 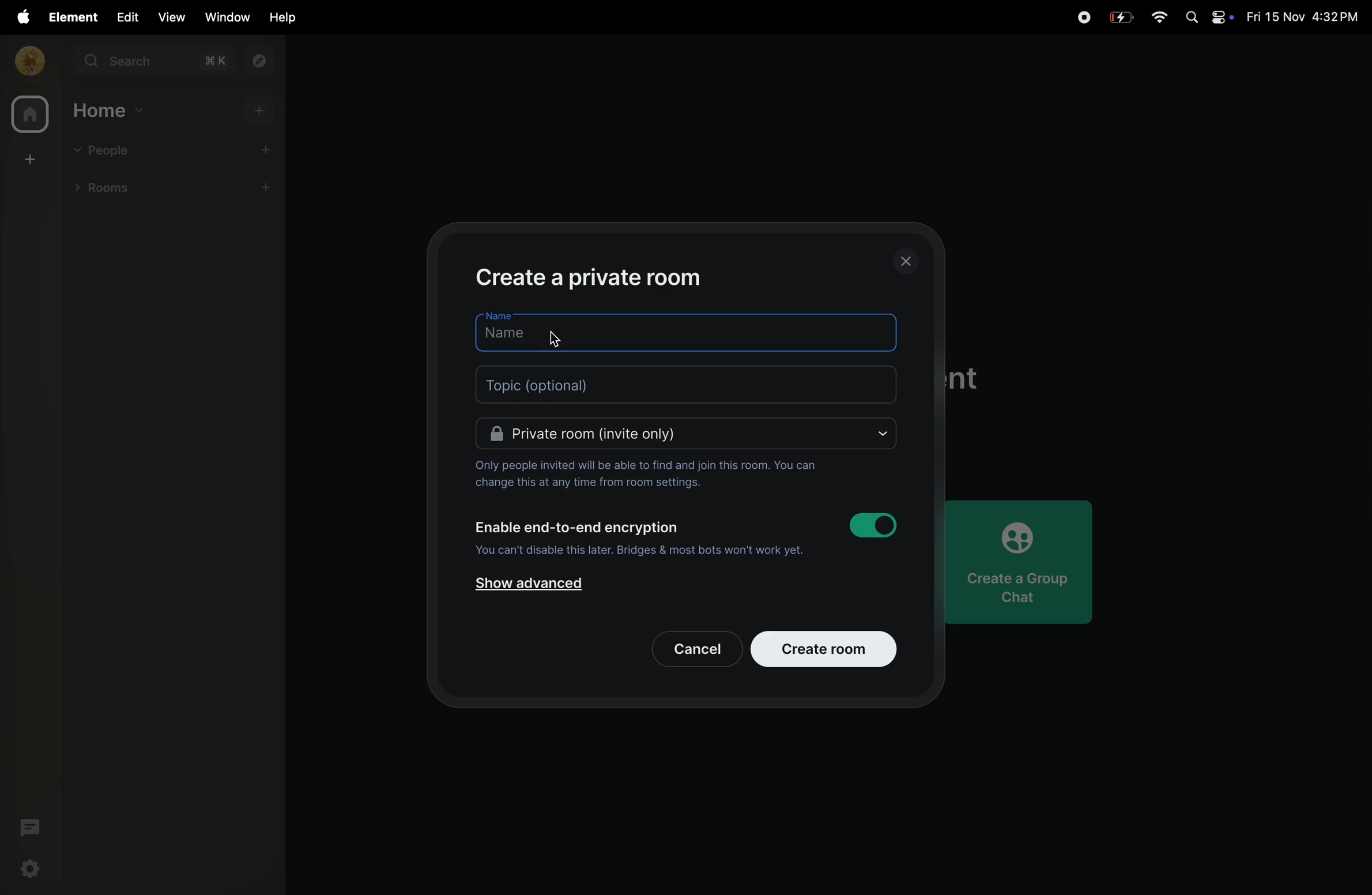 What do you see at coordinates (255, 112) in the screenshot?
I see `add` at bounding box center [255, 112].